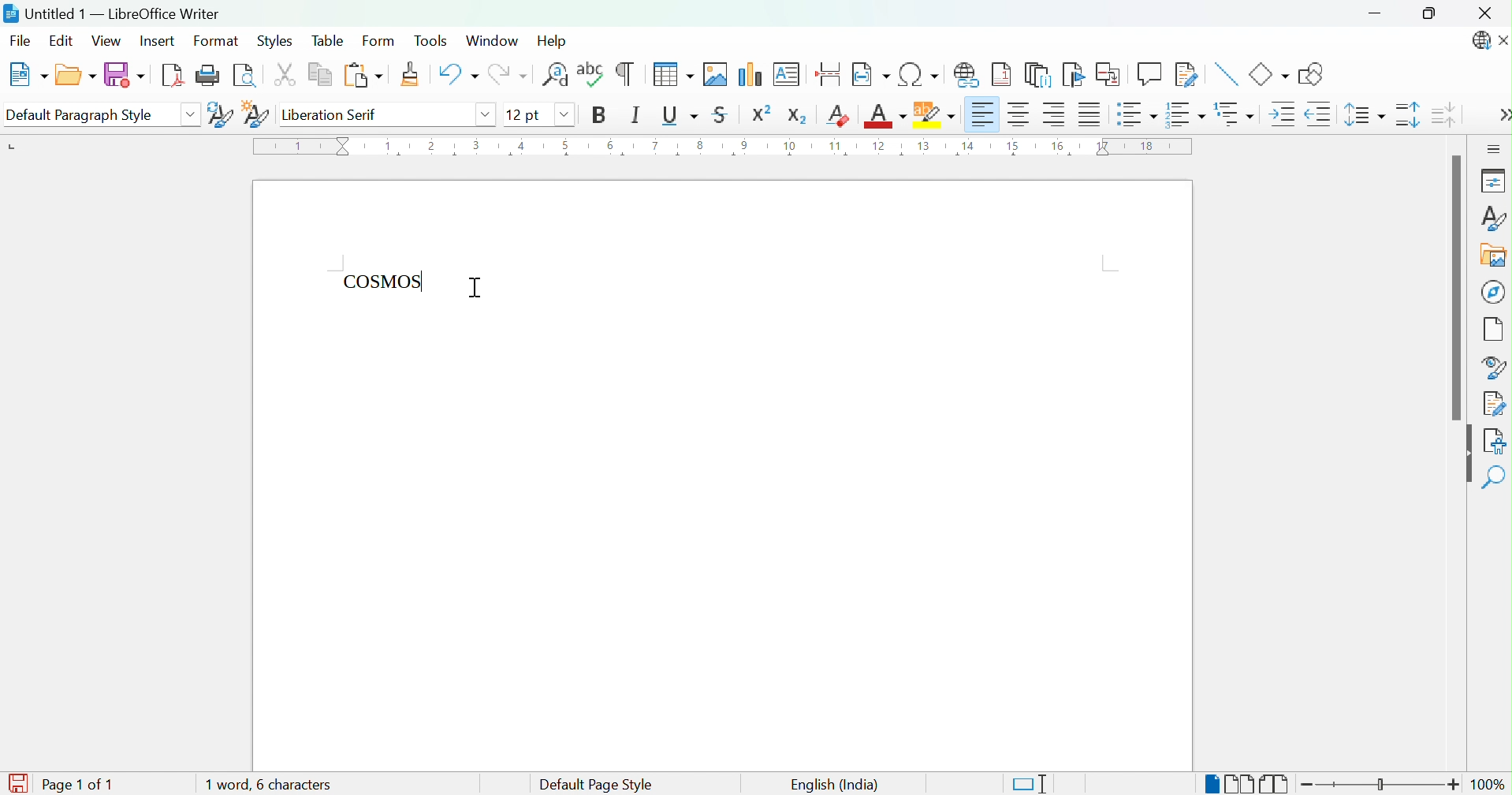  I want to click on Insert Footnote, so click(1002, 75).